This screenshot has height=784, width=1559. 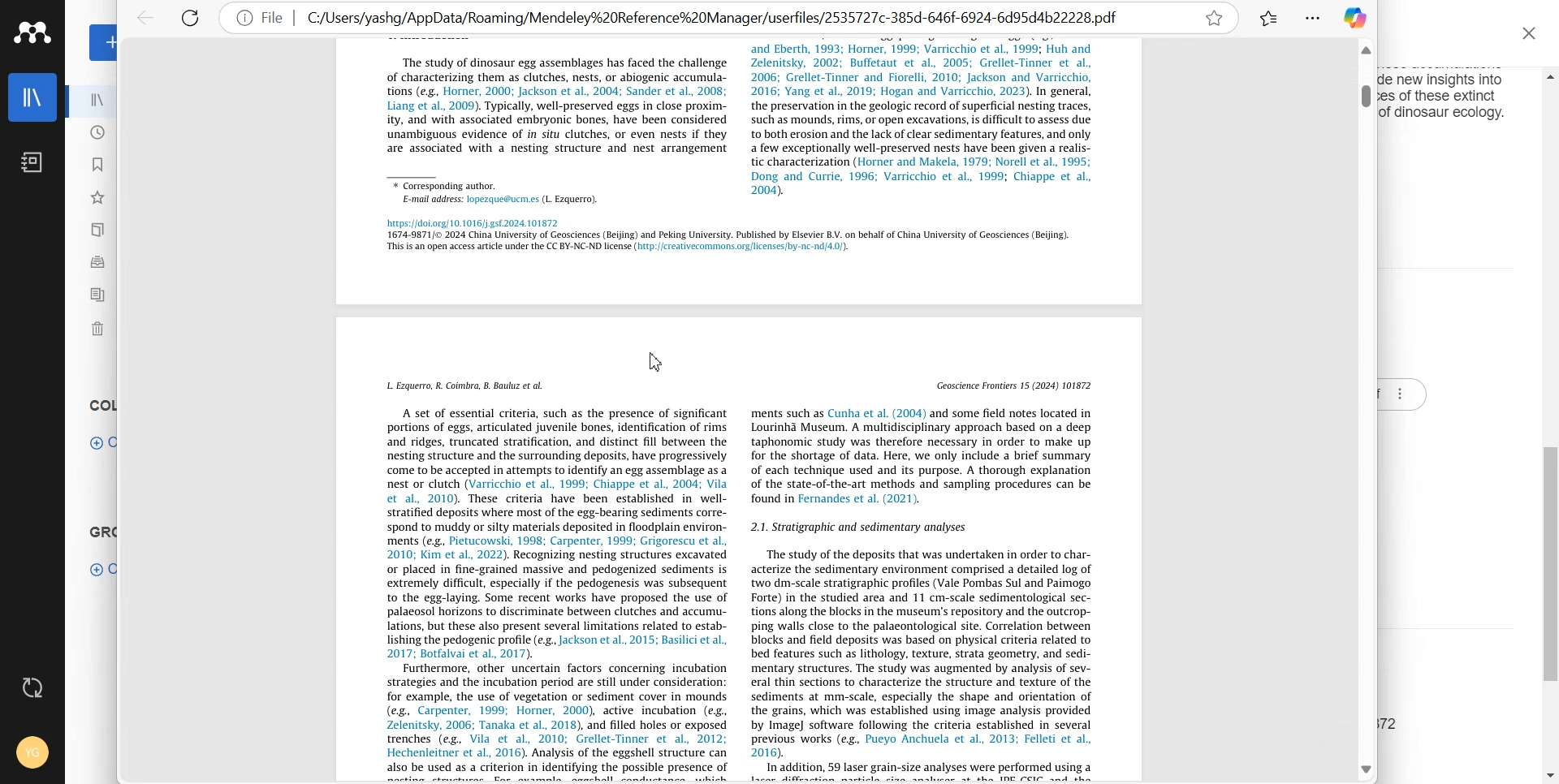 What do you see at coordinates (1370, 770) in the screenshot?
I see `Scroll down` at bounding box center [1370, 770].